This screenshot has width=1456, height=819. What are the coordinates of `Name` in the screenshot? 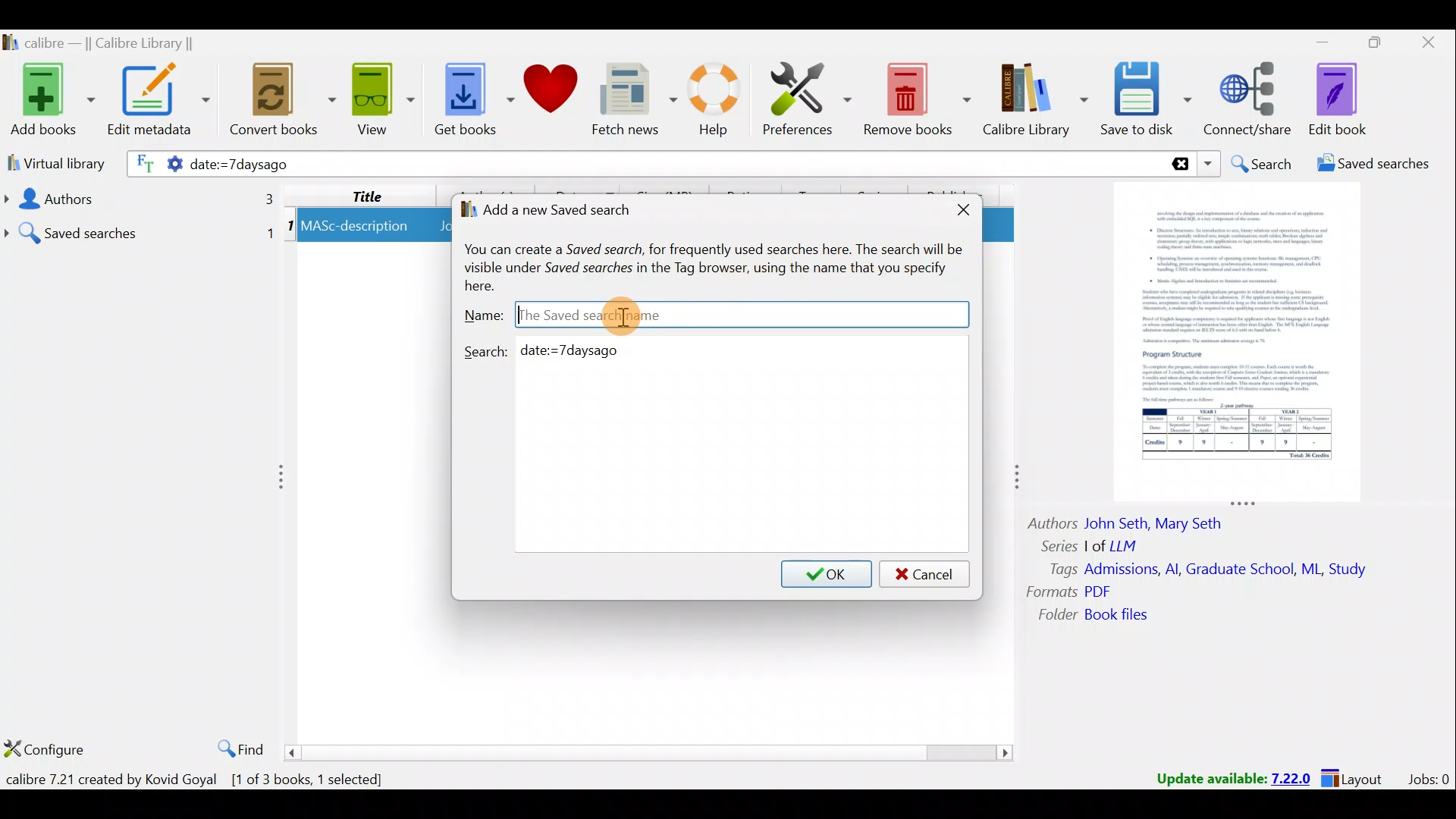 It's located at (482, 312).